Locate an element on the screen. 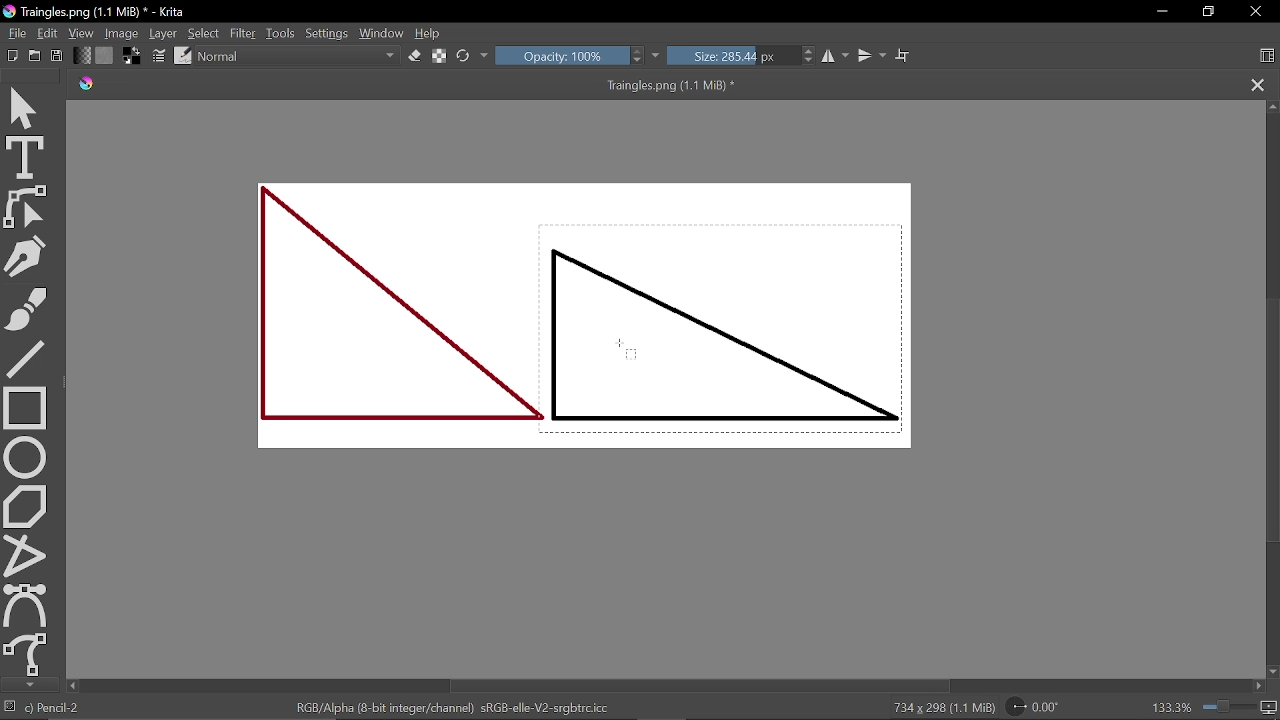 The width and height of the screenshot is (1280, 720). Wrap text tool is located at coordinates (902, 55).